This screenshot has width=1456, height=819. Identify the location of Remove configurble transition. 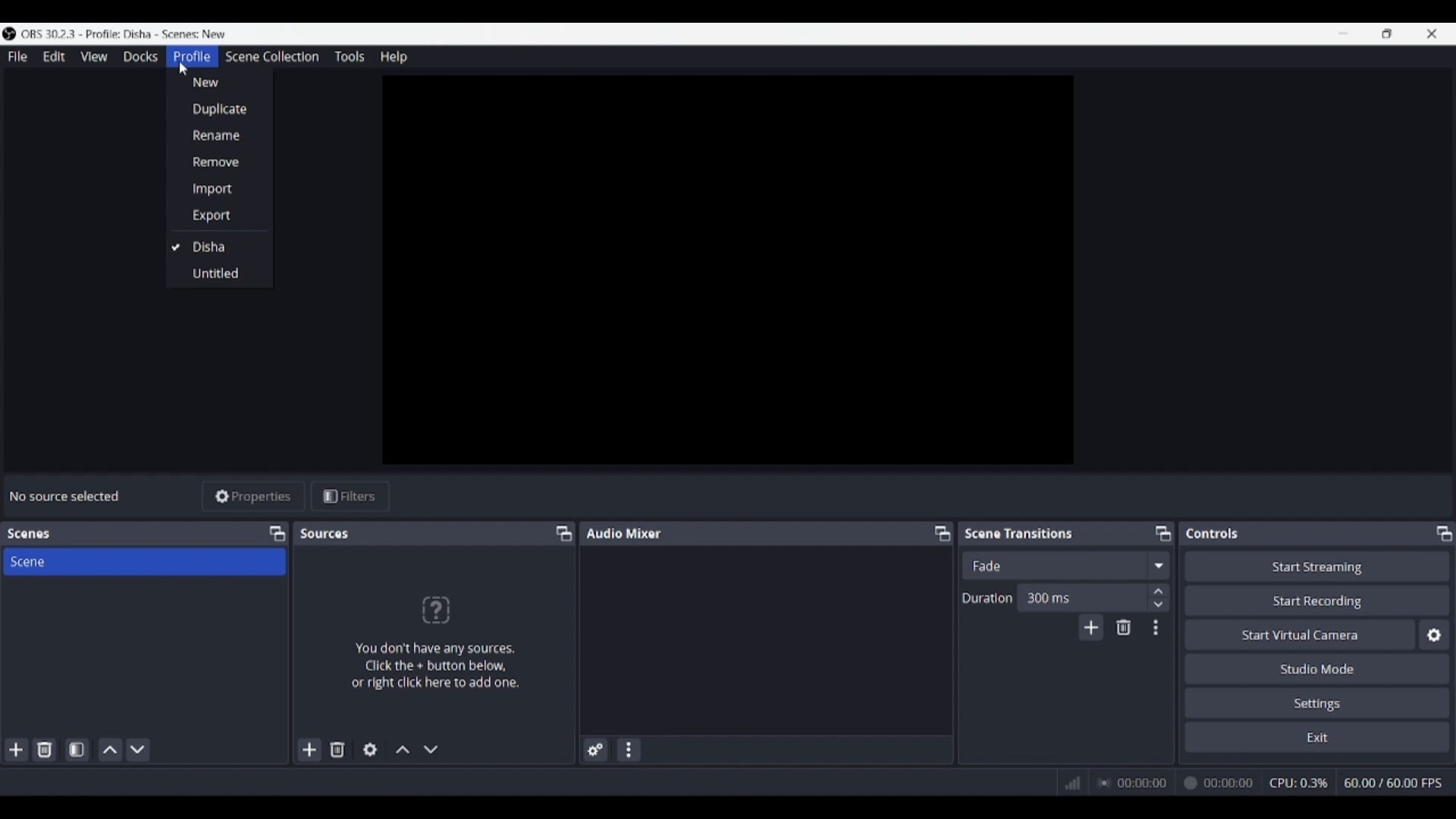
(1124, 627).